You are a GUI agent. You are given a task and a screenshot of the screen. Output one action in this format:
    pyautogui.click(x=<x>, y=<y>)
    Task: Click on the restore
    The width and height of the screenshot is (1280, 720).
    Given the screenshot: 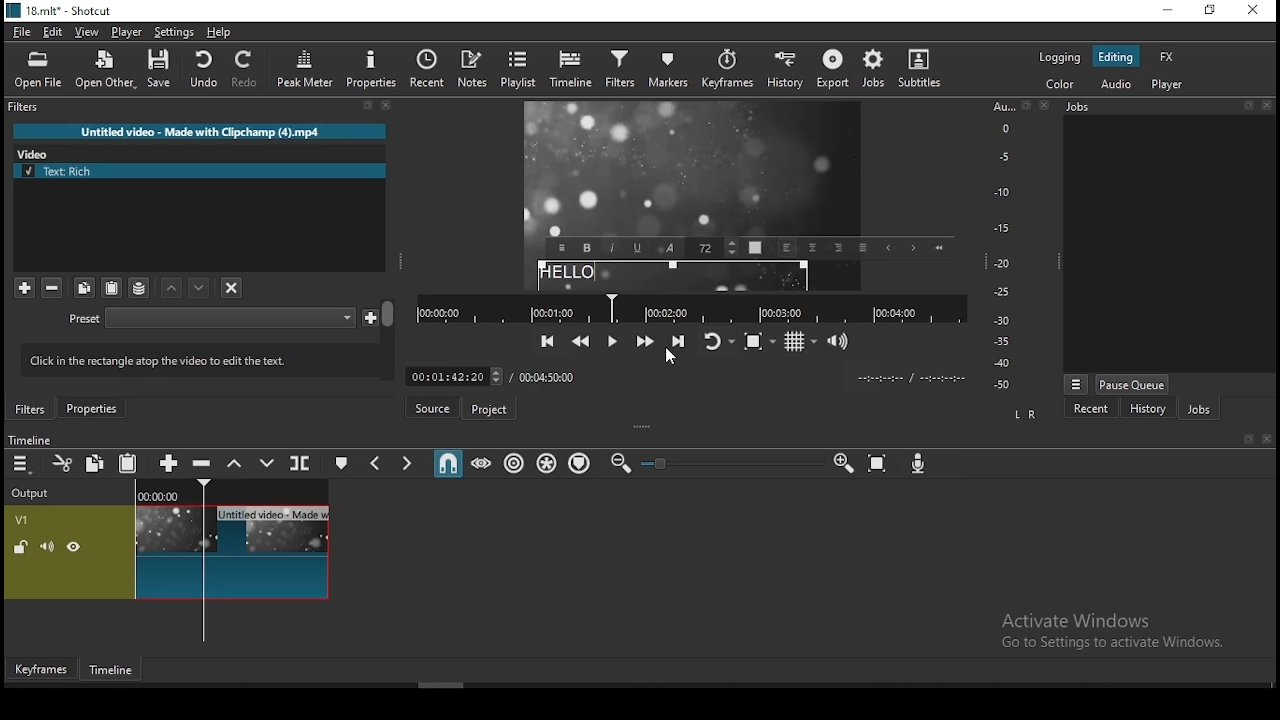 What is the action you would take?
    pyautogui.click(x=1212, y=9)
    